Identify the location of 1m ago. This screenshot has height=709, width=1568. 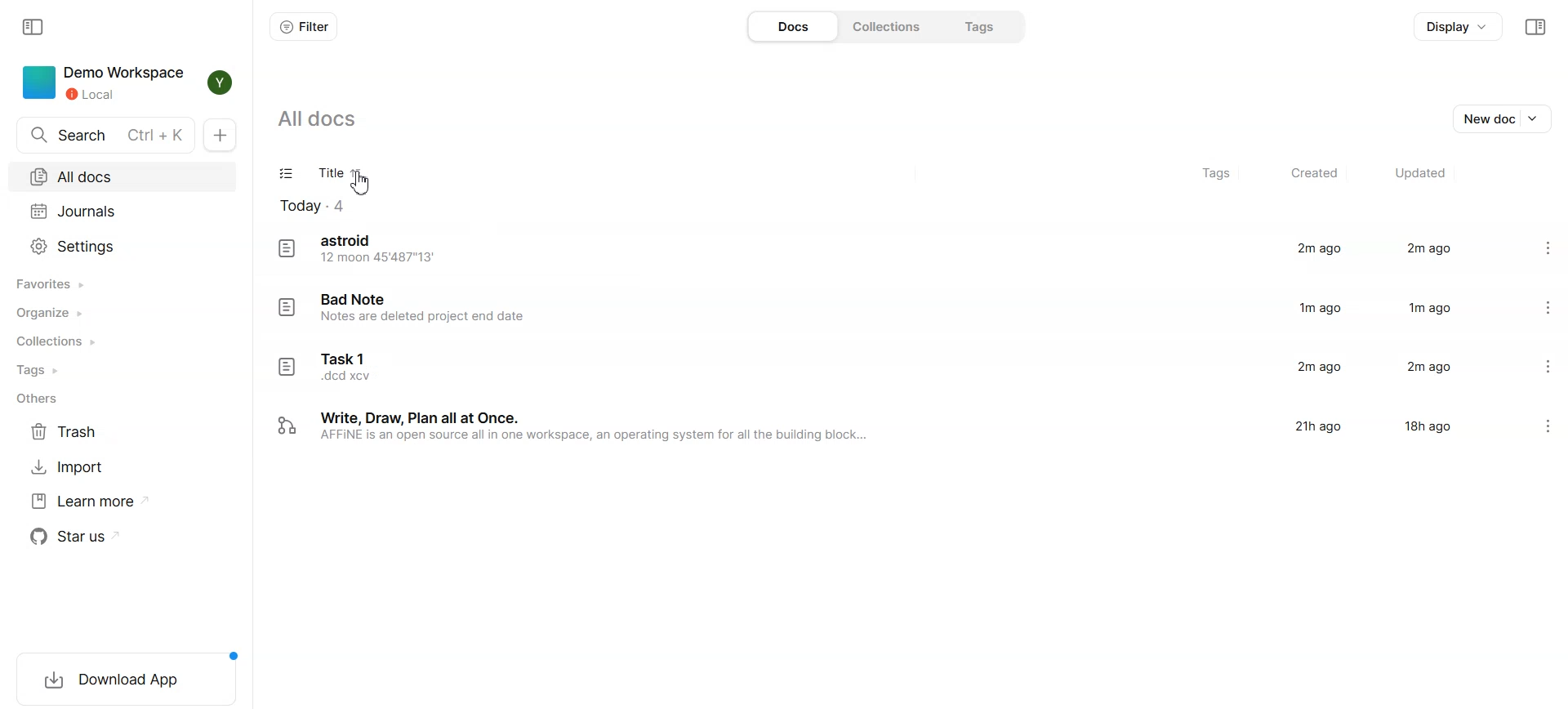
(1321, 307).